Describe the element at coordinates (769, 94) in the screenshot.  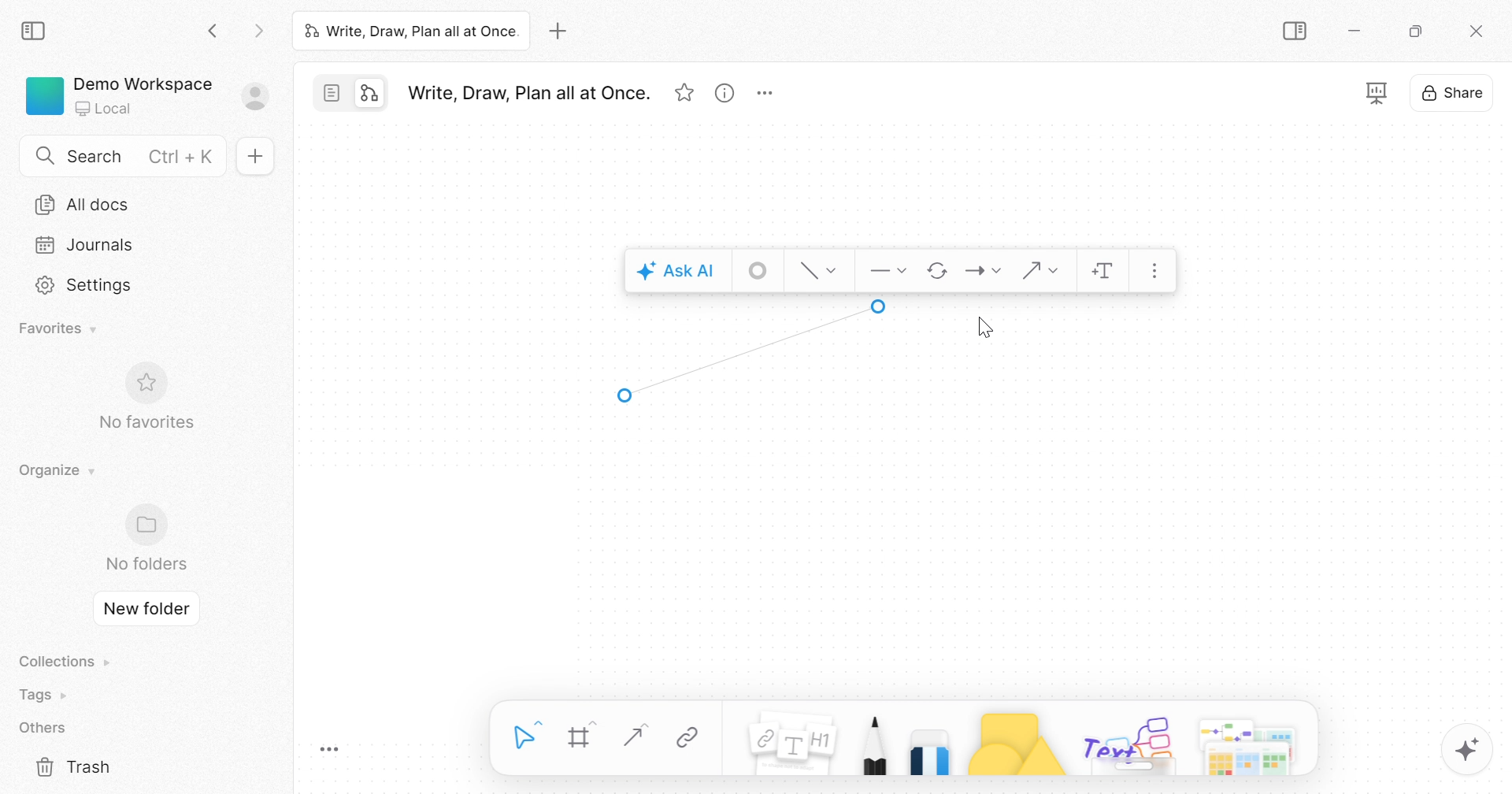
I see `More options` at that location.